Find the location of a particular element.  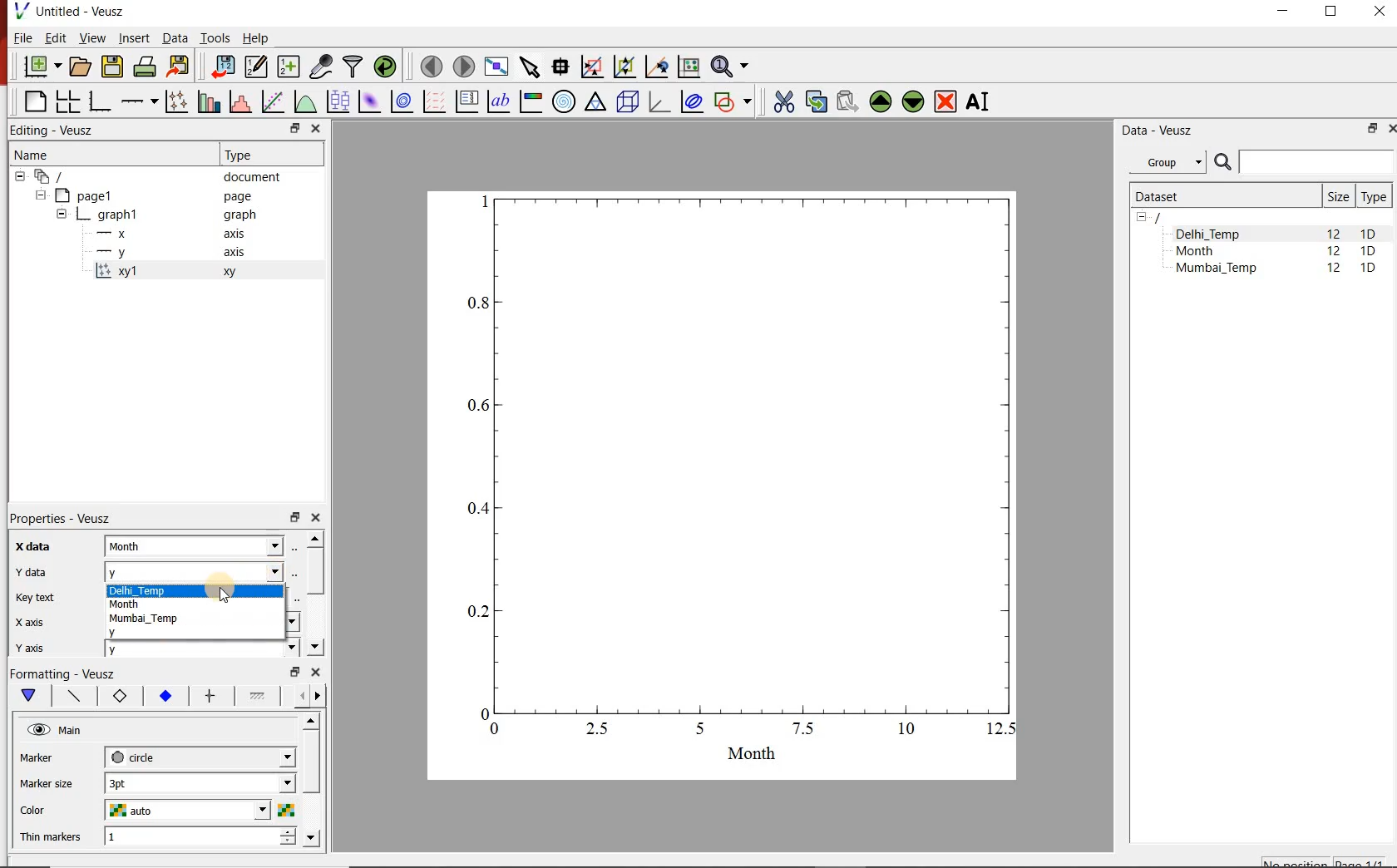

polar graph is located at coordinates (565, 103).